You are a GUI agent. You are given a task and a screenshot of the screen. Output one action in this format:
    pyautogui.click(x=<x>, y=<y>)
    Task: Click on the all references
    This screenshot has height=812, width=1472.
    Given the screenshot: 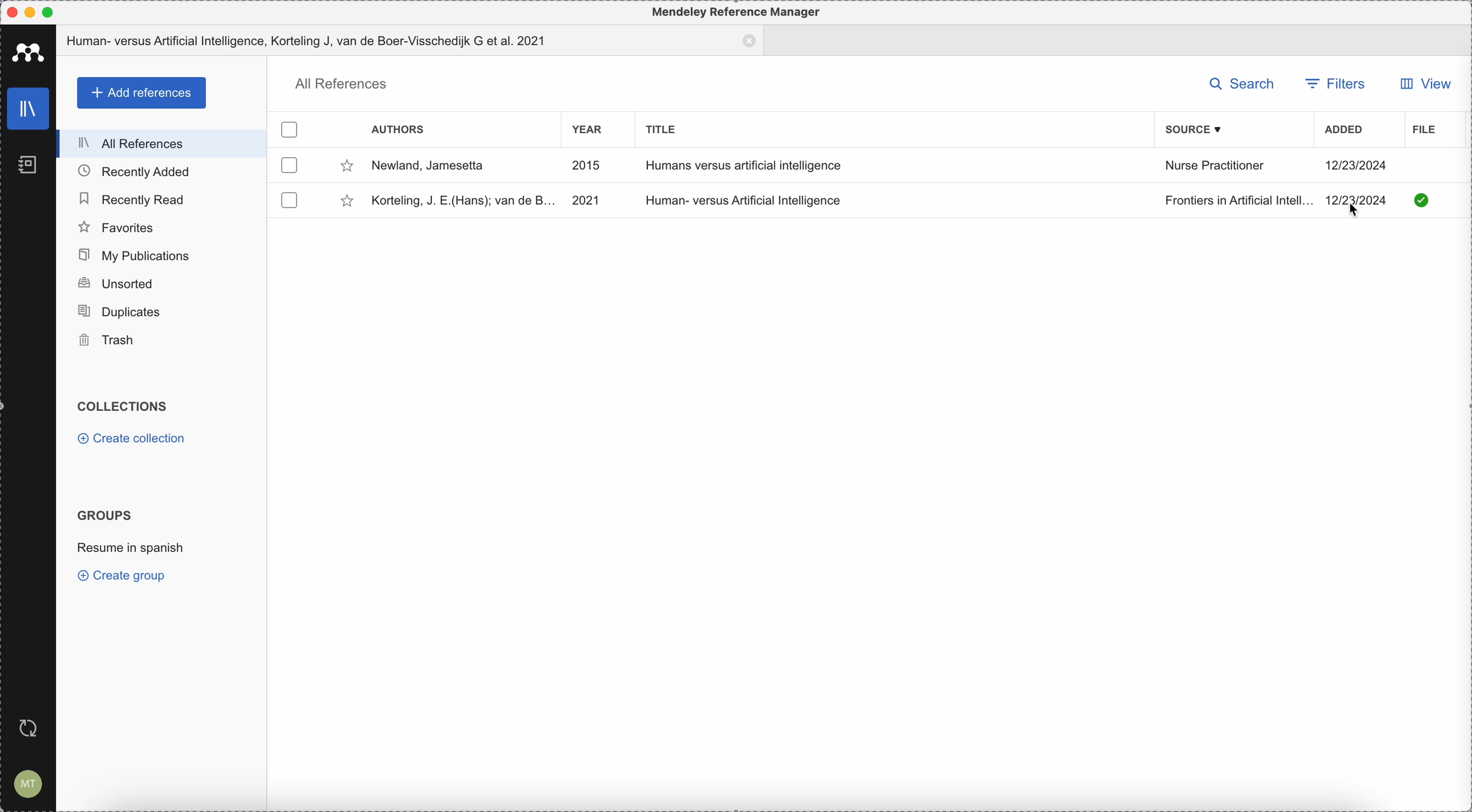 What is the action you would take?
    pyautogui.click(x=167, y=143)
    